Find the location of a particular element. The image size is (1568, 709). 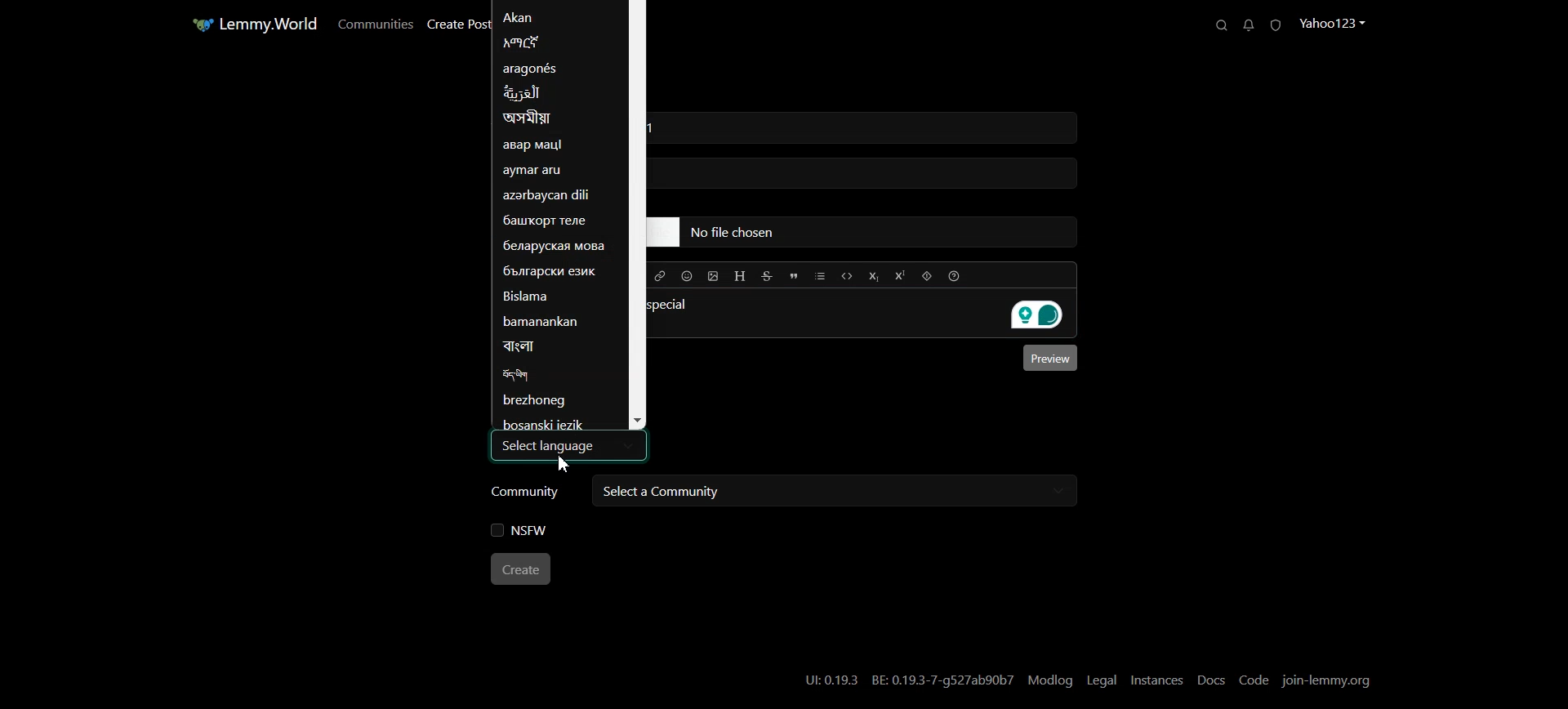

Spoiler is located at coordinates (927, 275).